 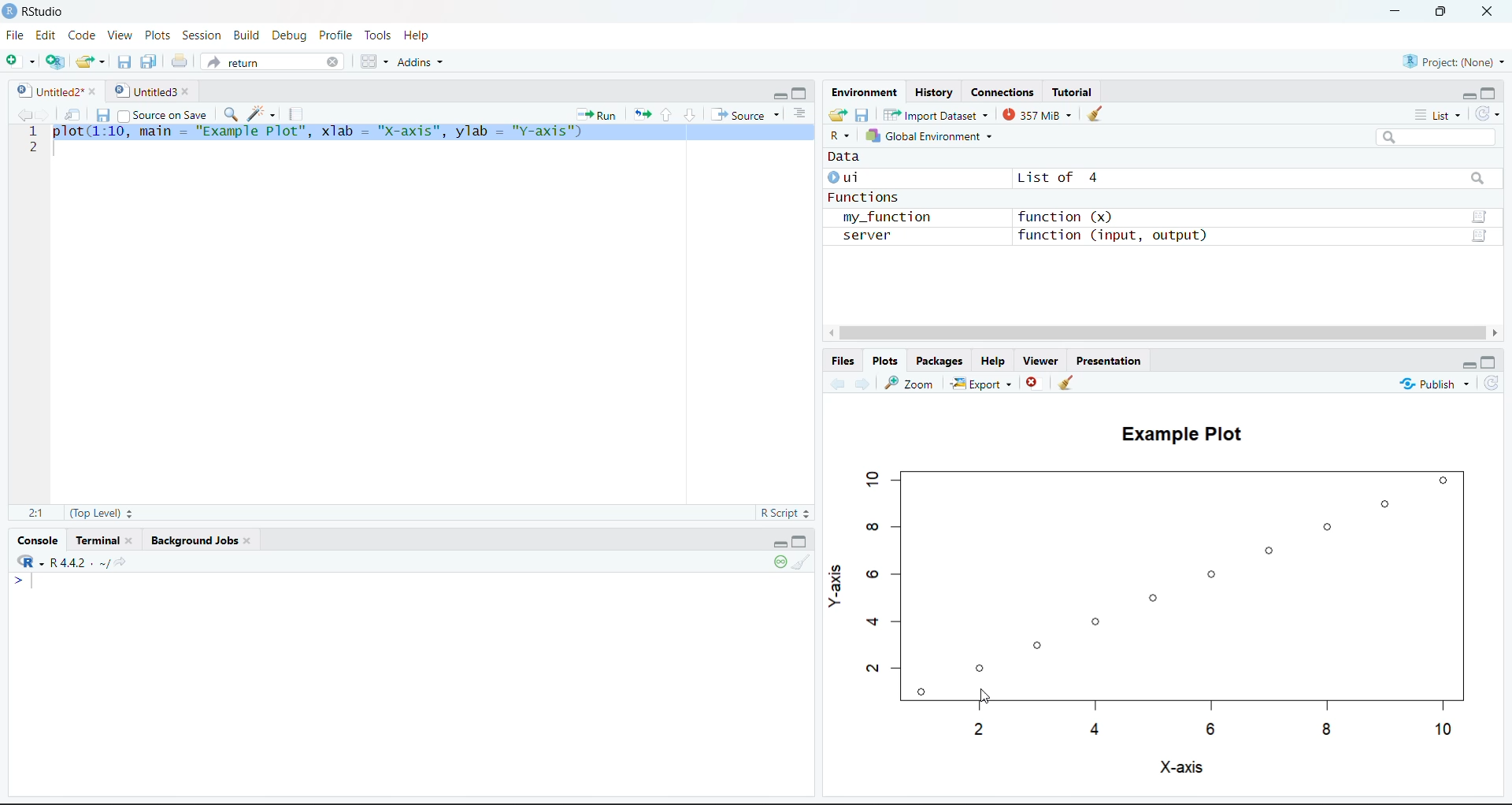 I want to click on X-axis, so click(x=1180, y=768).